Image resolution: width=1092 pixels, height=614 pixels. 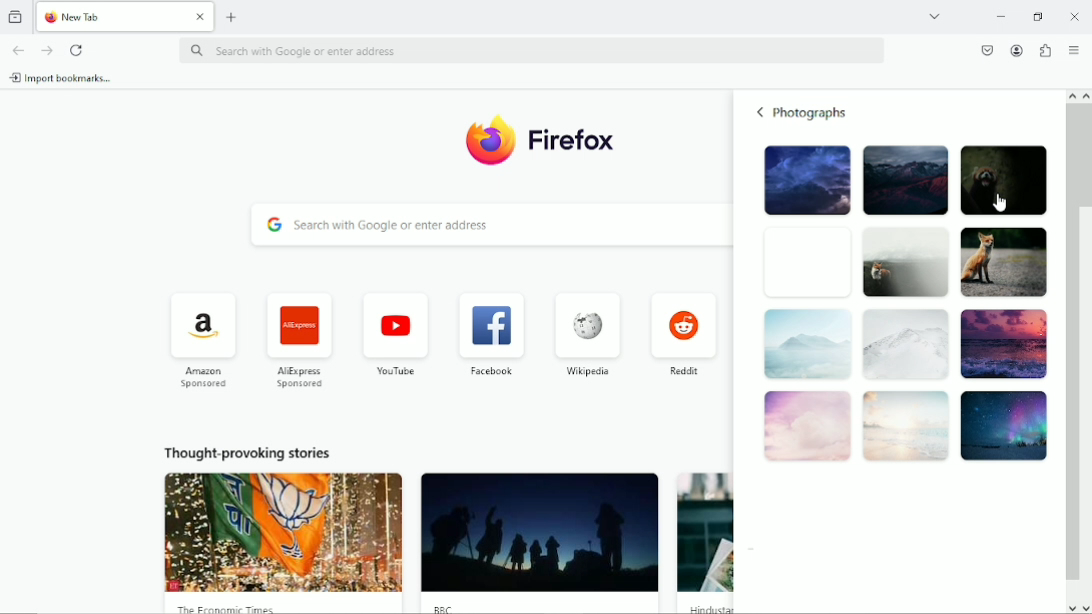 I want to click on Cursor, so click(x=999, y=202).